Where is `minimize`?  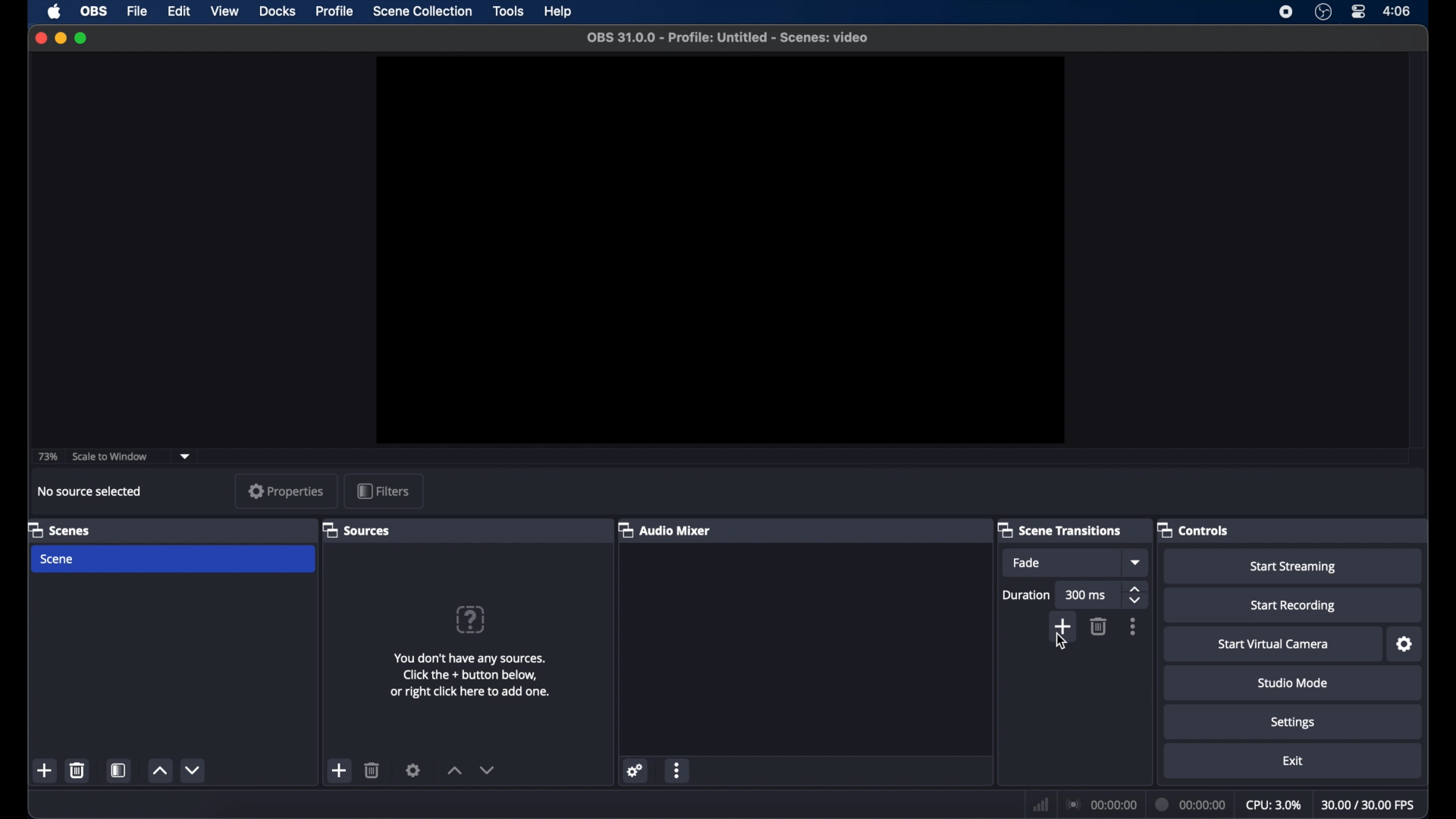
minimize is located at coordinates (60, 38).